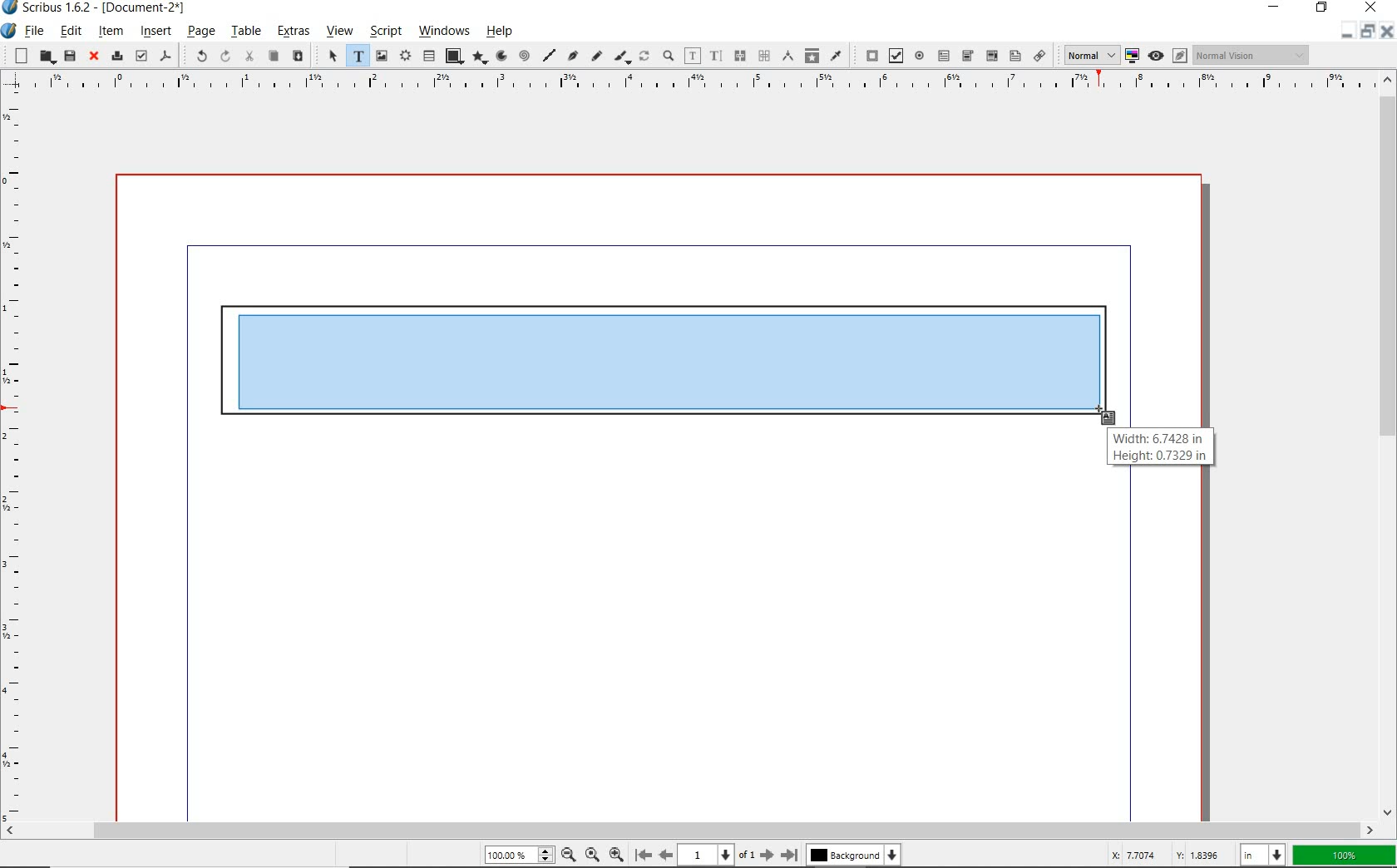 This screenshot has width=1397, height=868. Describe the element at coordinates (225, 56) in the screenshot. I see `redo` at that location.